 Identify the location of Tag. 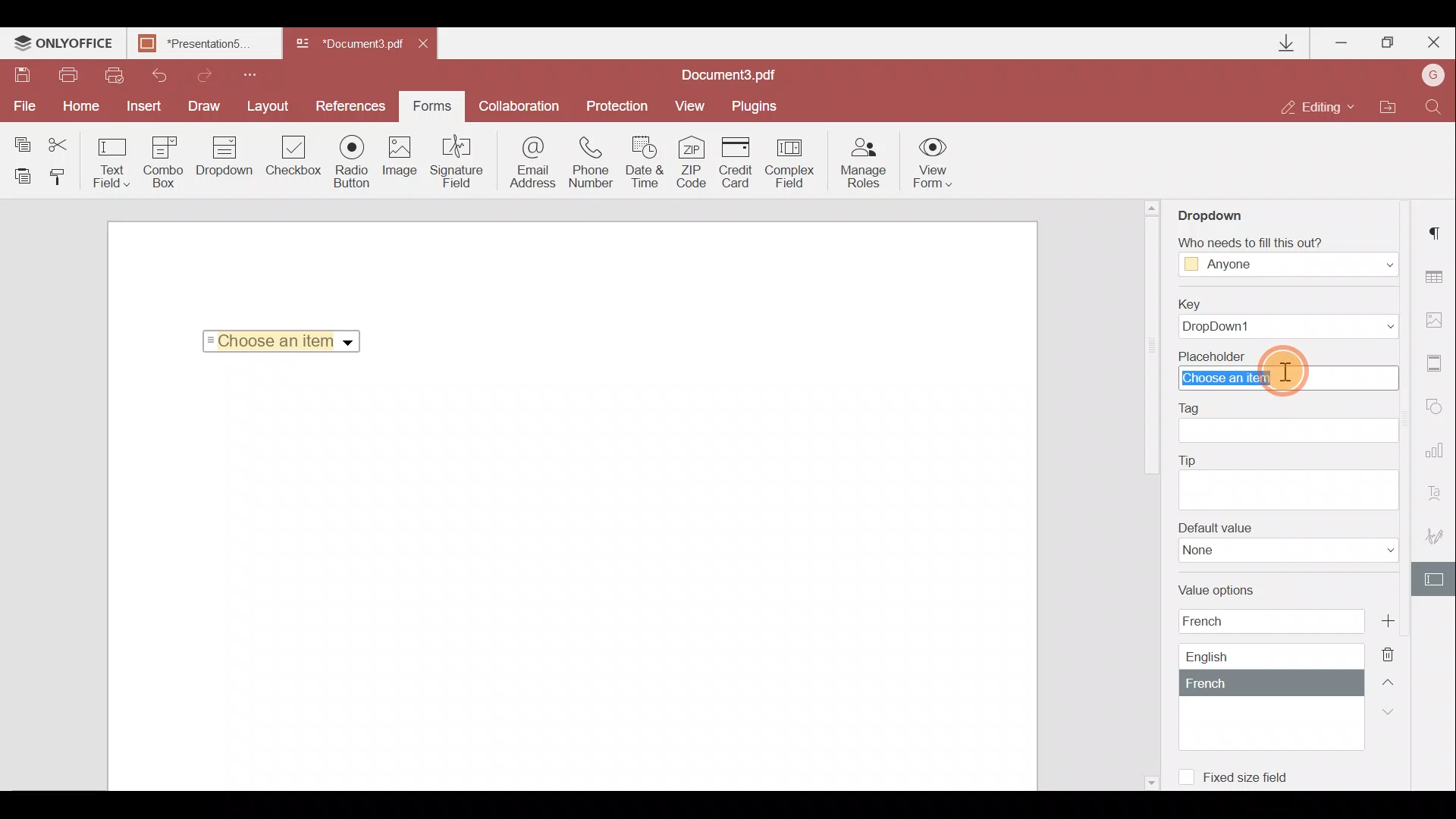
(1289, 422).